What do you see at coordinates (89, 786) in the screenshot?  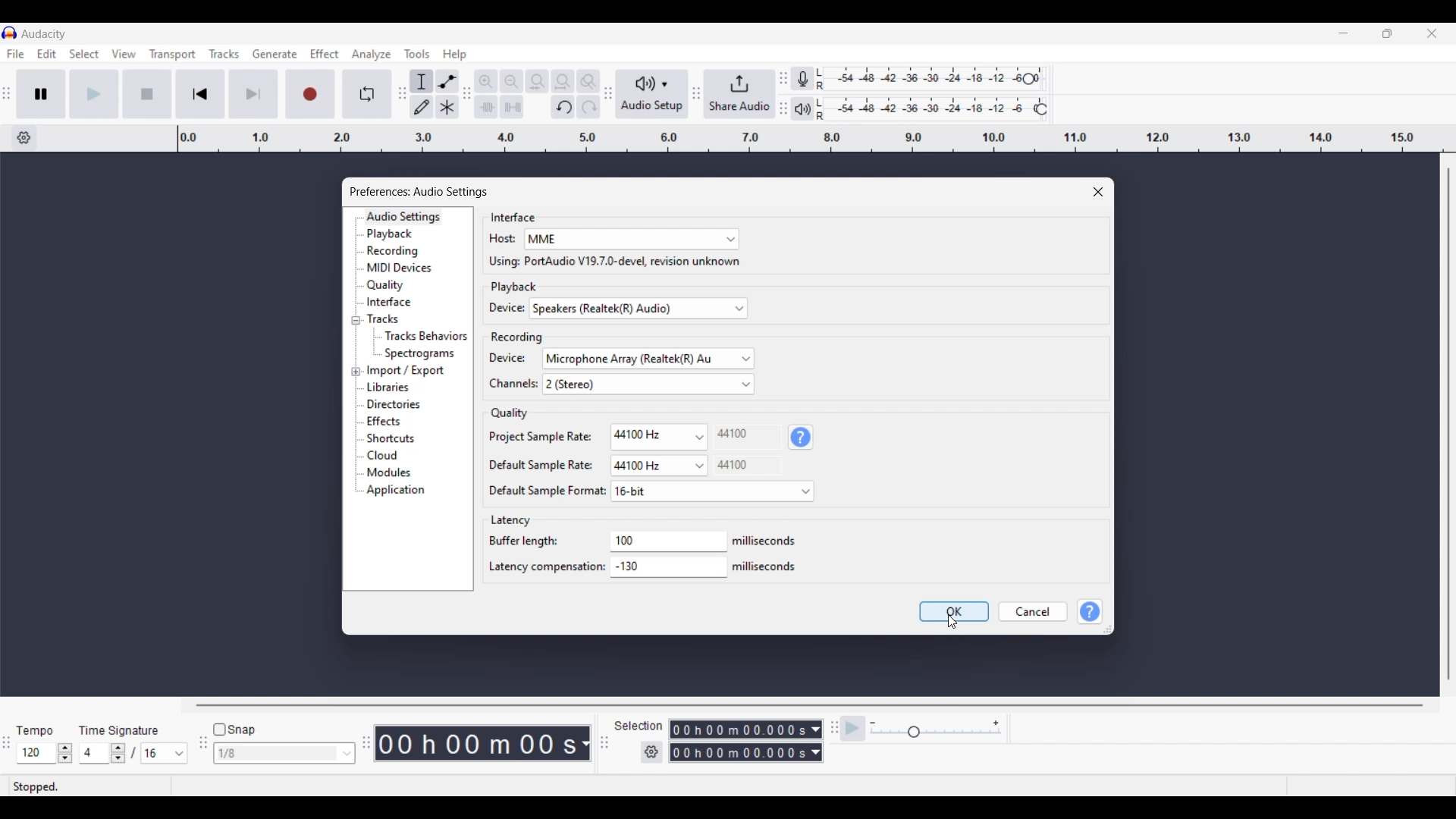 I see `Status of recording` at bounding box center [89, 786].